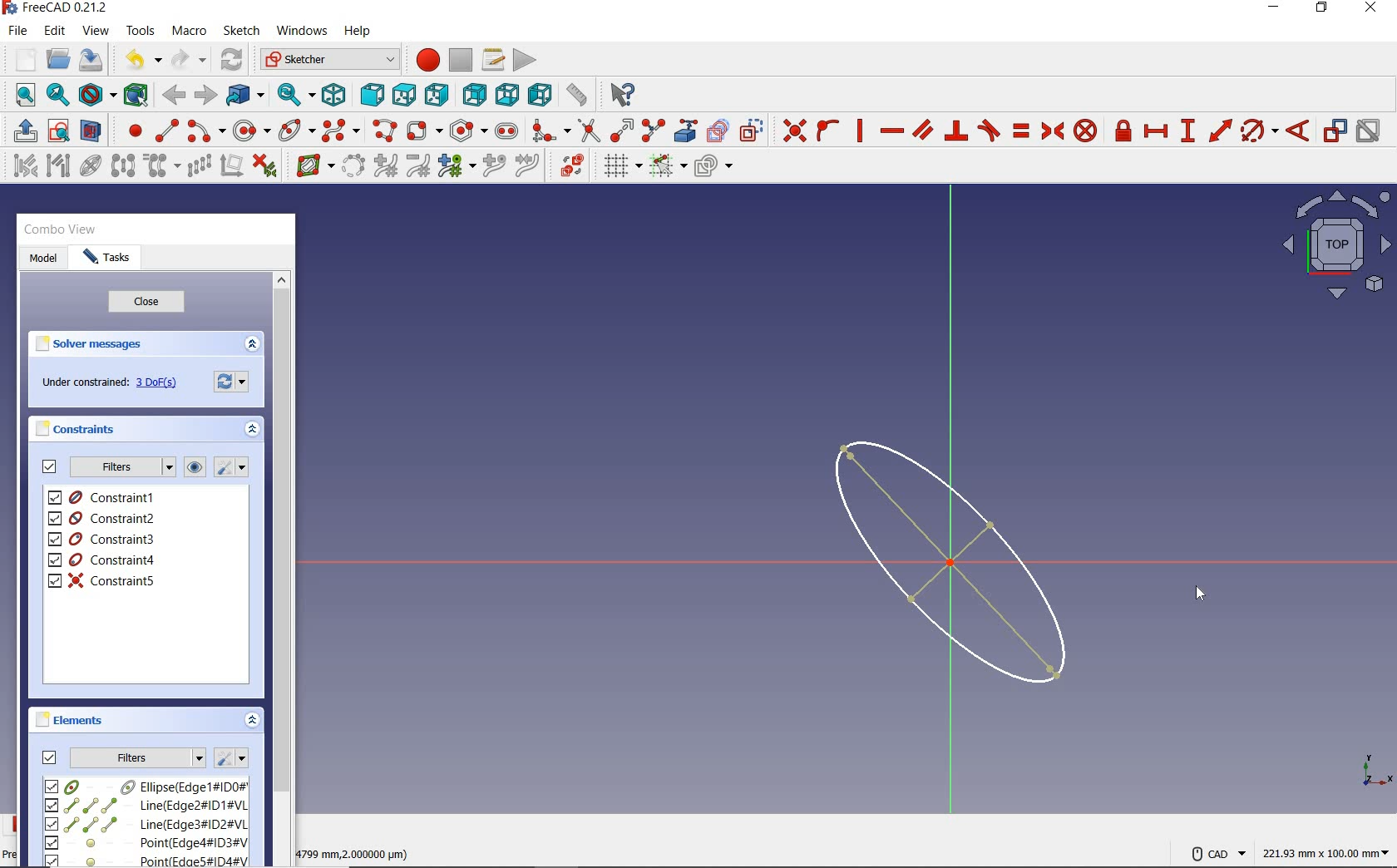 This screenshot has height=868, width=1397. Describe the element at coordinates (124, 165) in the screenshot. I see `symmetry` at that location.